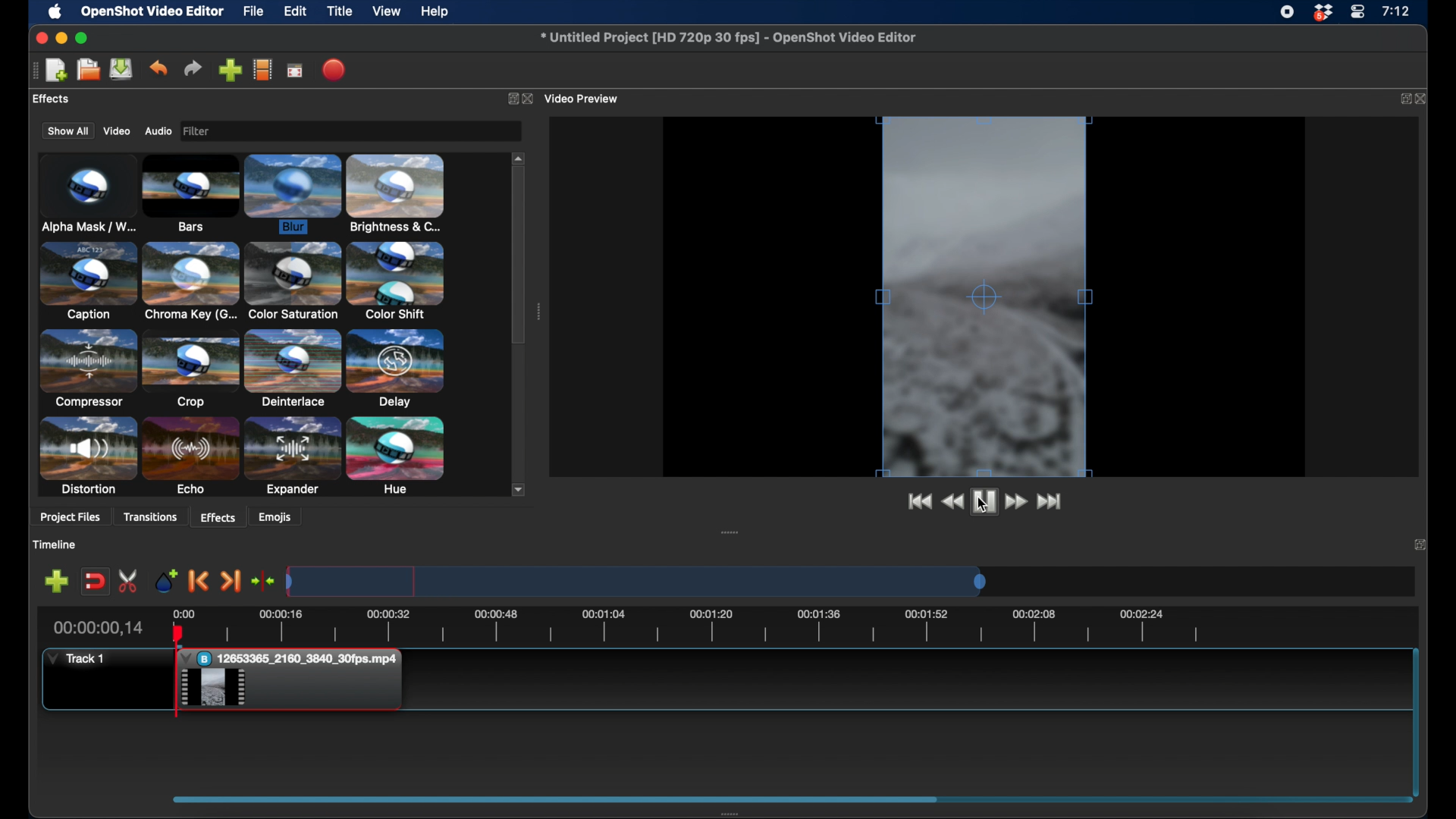  I want to click on alpha mask, so click(86, 196).